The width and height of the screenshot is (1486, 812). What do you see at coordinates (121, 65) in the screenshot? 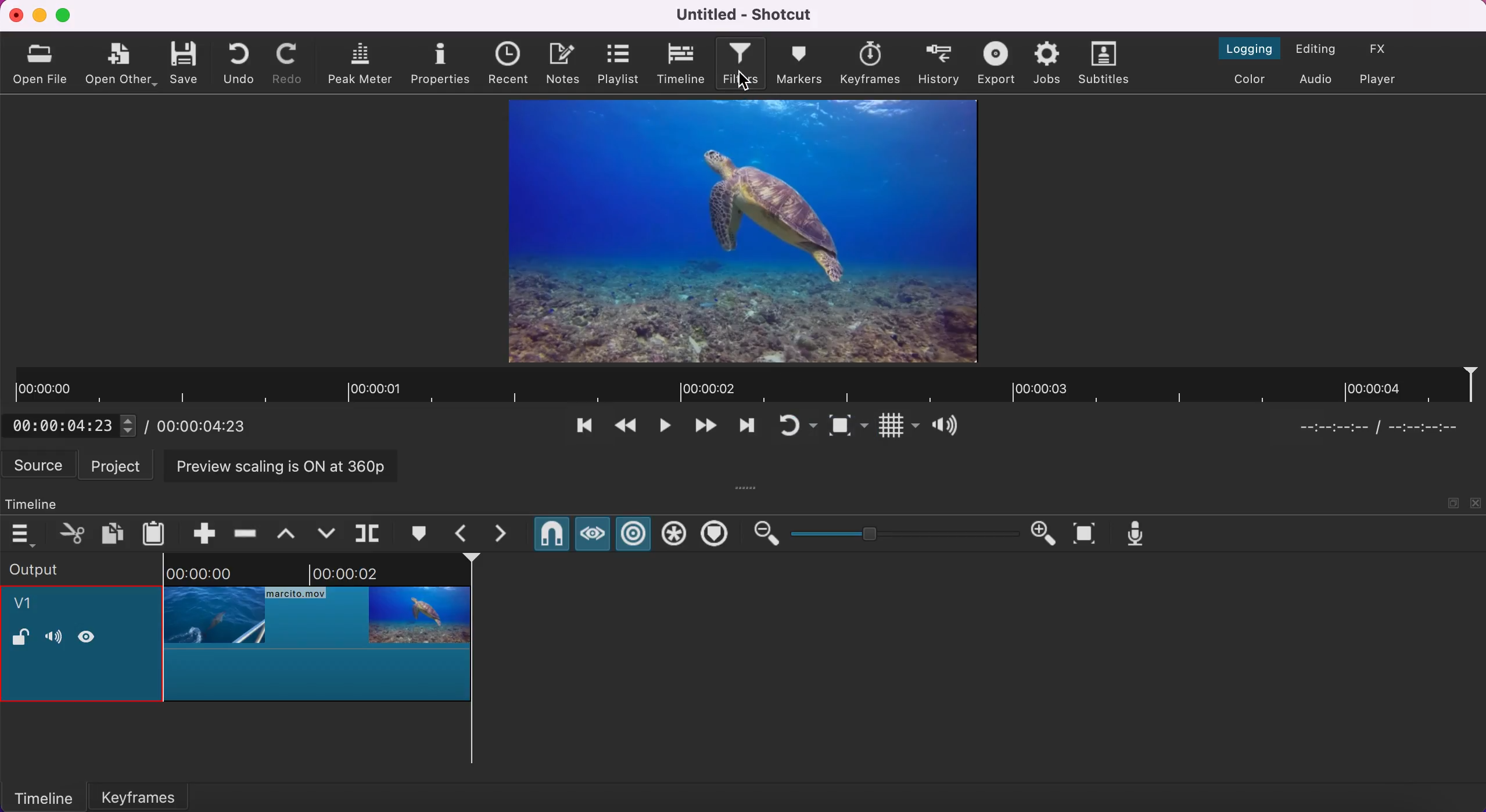
I see `open other` at bounding box center [121, 65].